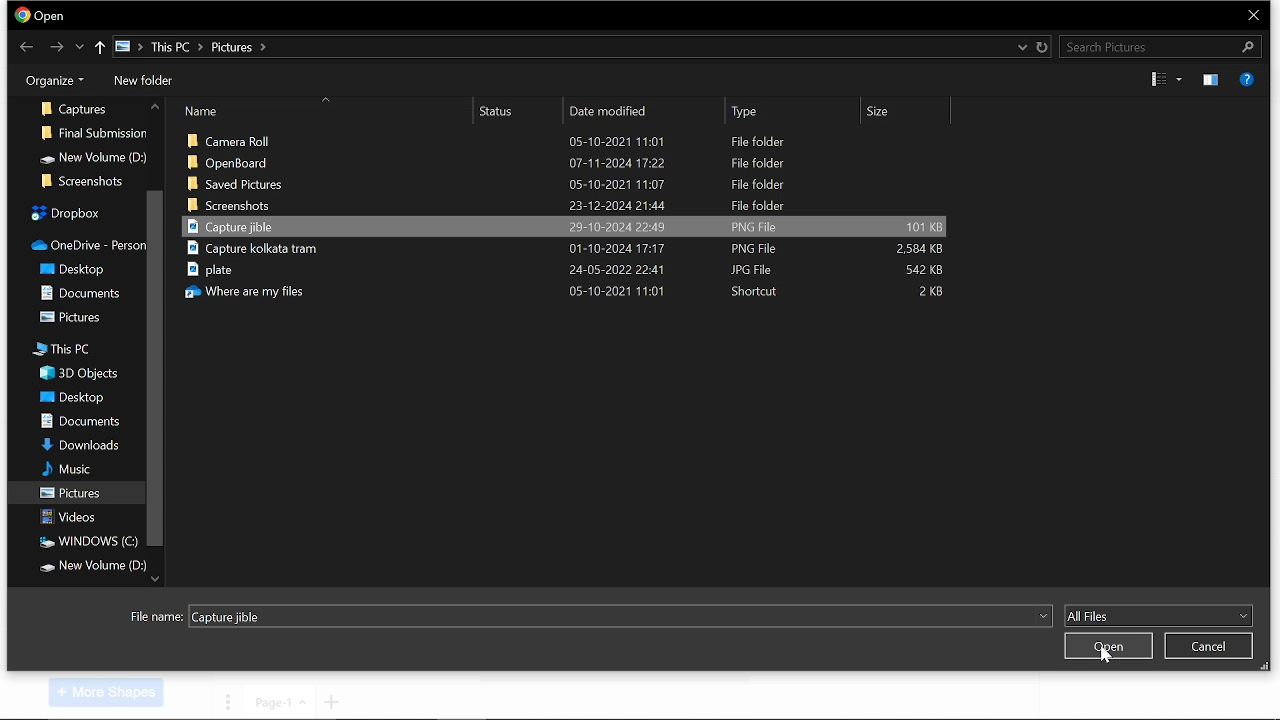 This screenshot has height=720, width=1280. What do you see at coordinates (791, 111) in the screenshot?
I see `type` at bounding box center [791, 111].